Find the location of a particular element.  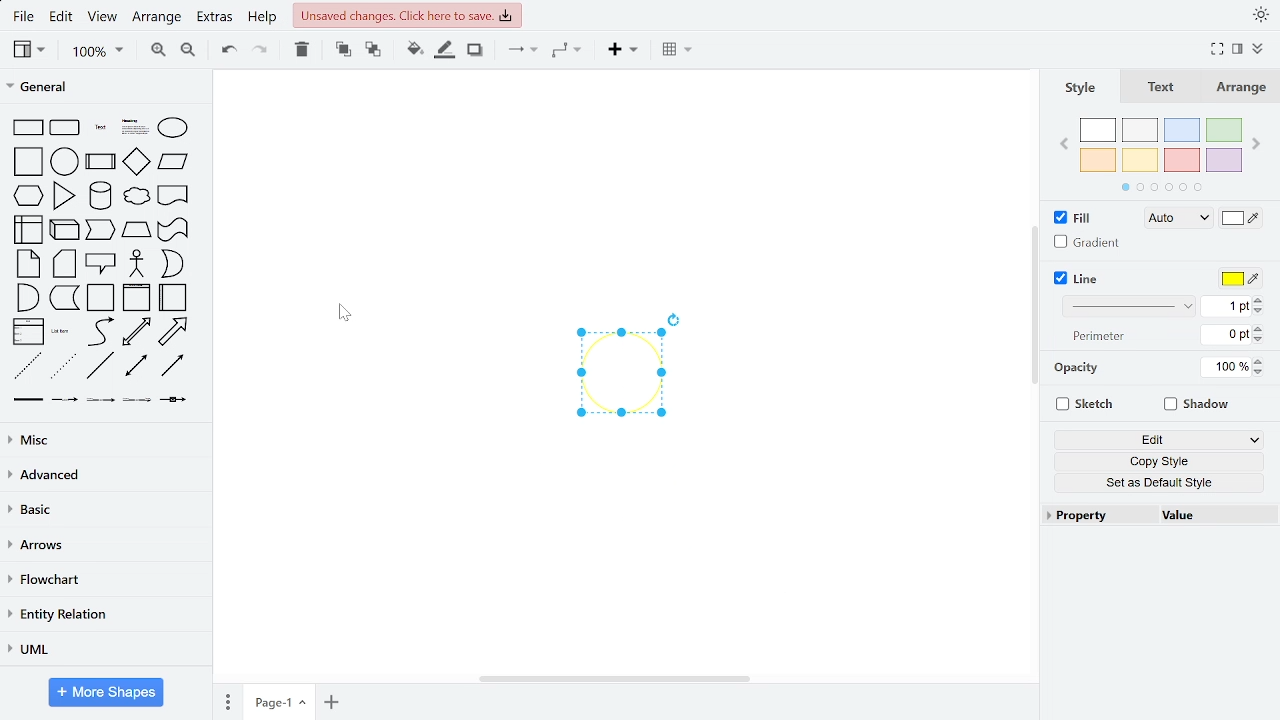

change perimeter is located at coordinates (1226, 334).